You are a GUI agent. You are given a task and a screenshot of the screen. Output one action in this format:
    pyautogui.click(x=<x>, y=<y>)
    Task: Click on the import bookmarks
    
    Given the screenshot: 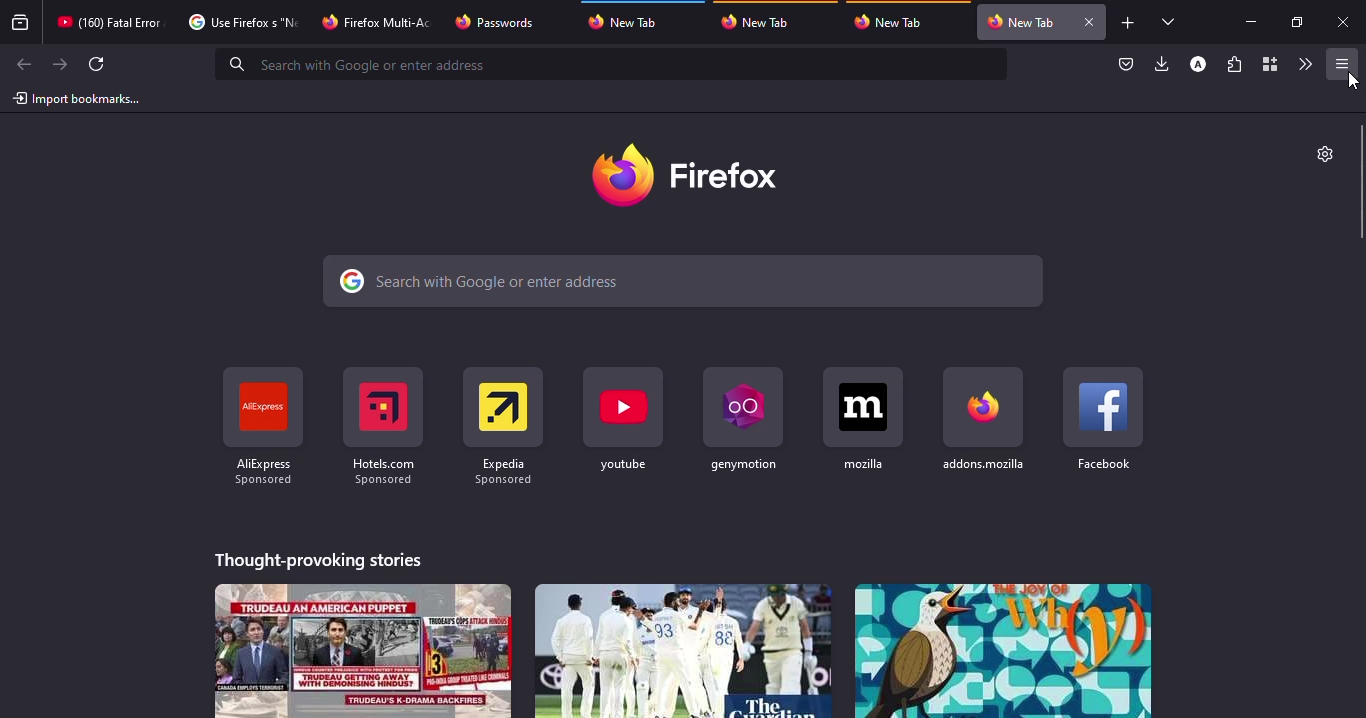 What is the action you would take?
    pyautogui.click(x=78, y=98)
    